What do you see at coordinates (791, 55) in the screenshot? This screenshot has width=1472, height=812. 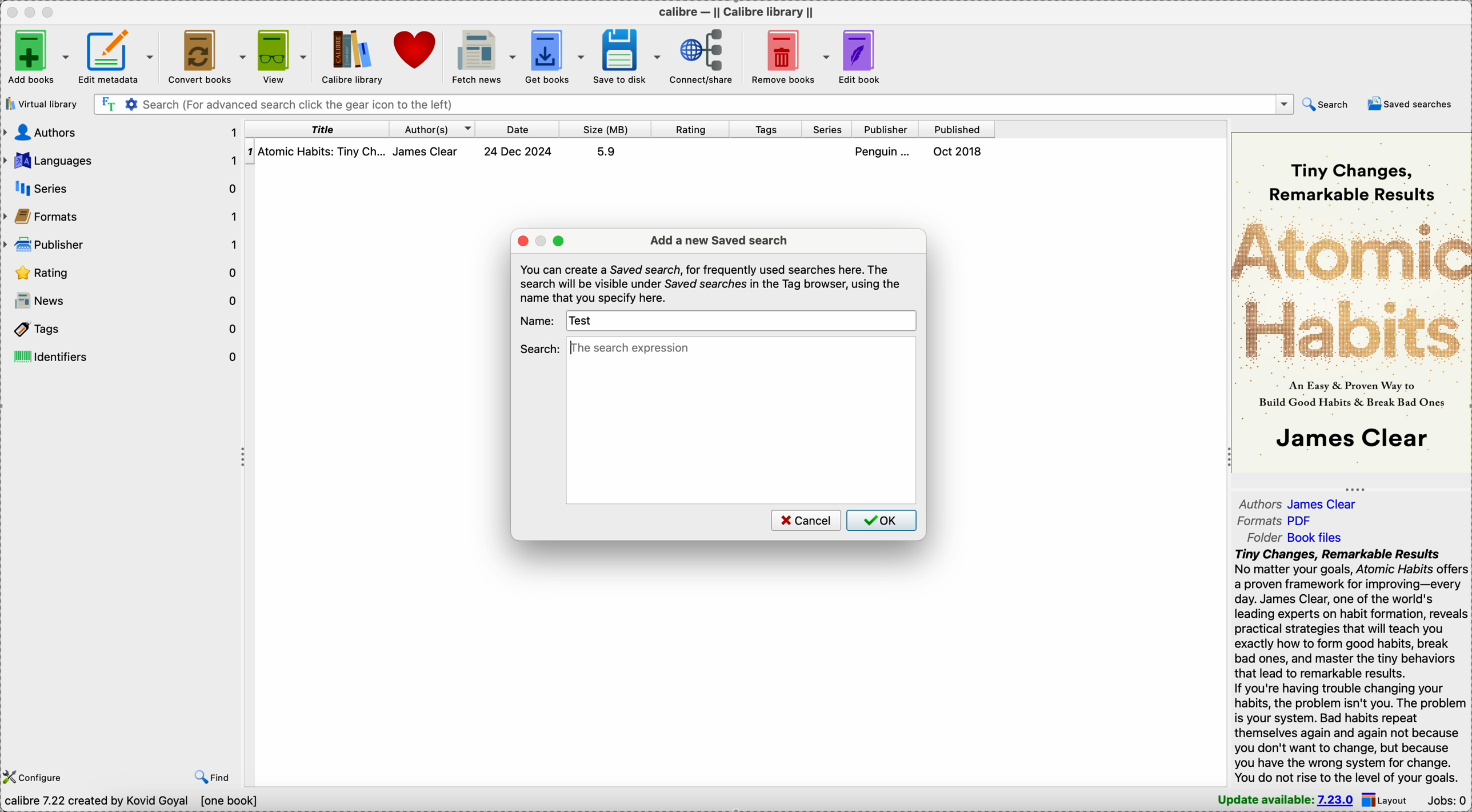 I see `remove books` at bounding box center [791, 55].